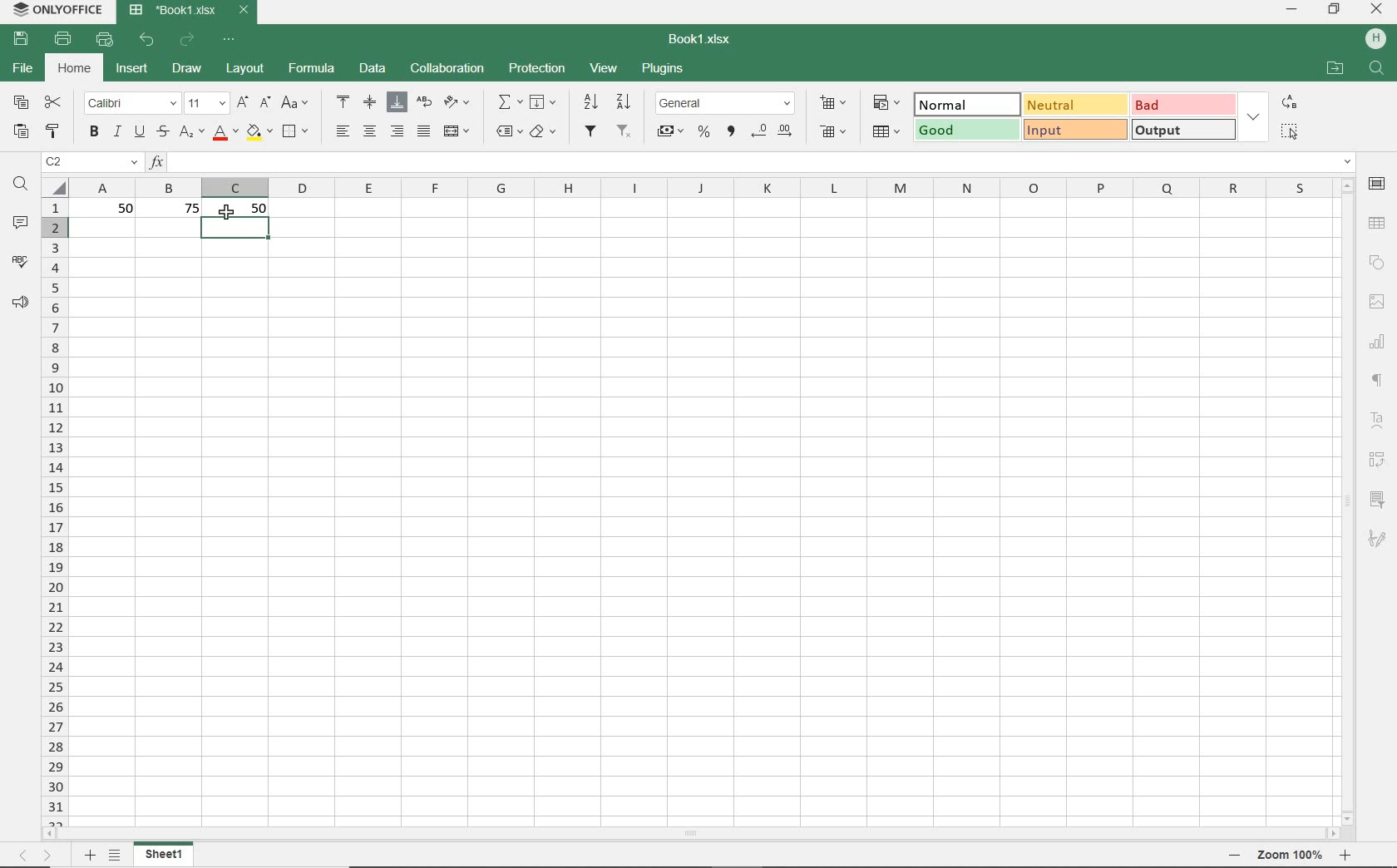 This screenshot has height=868, width=1397. What do you see at coordinates (20, 262) in the screenshot?
I see `spell checking` at bounding box center [20, 262].